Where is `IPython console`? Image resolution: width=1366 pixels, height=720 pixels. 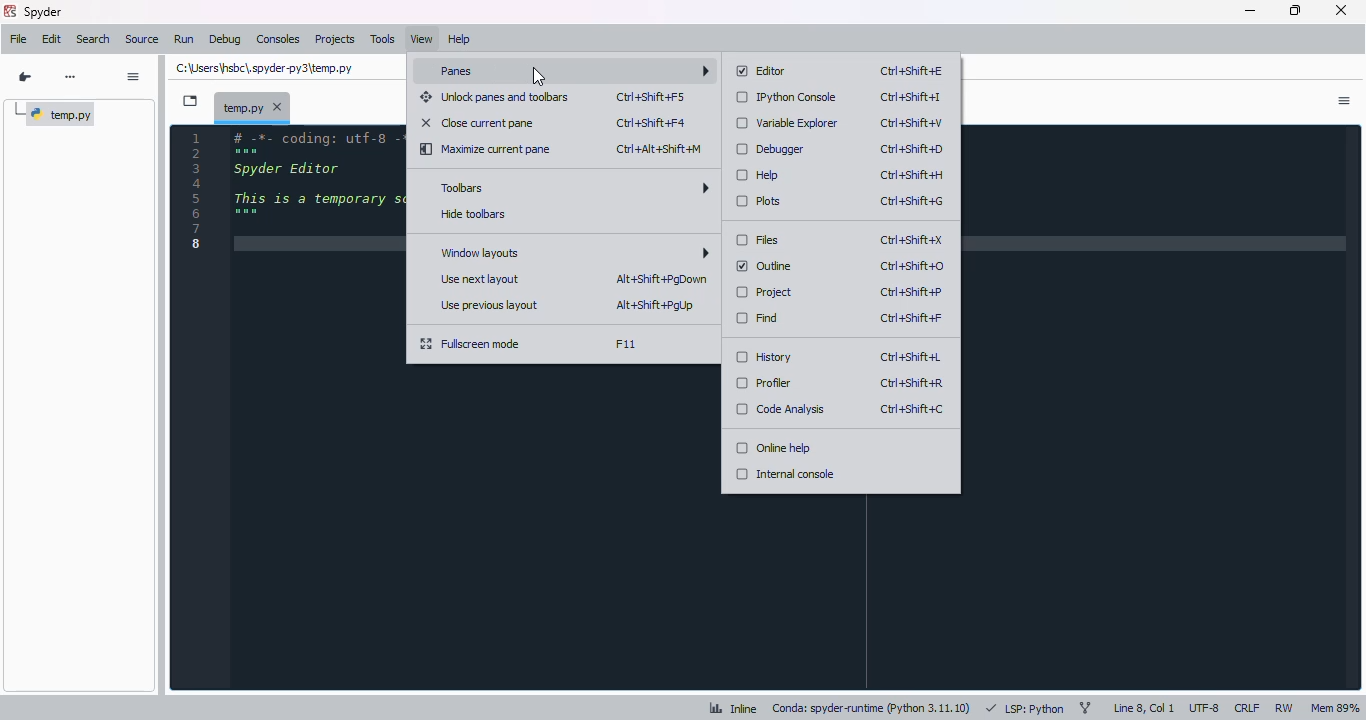
IPython console is located at coordinates (788, 97).